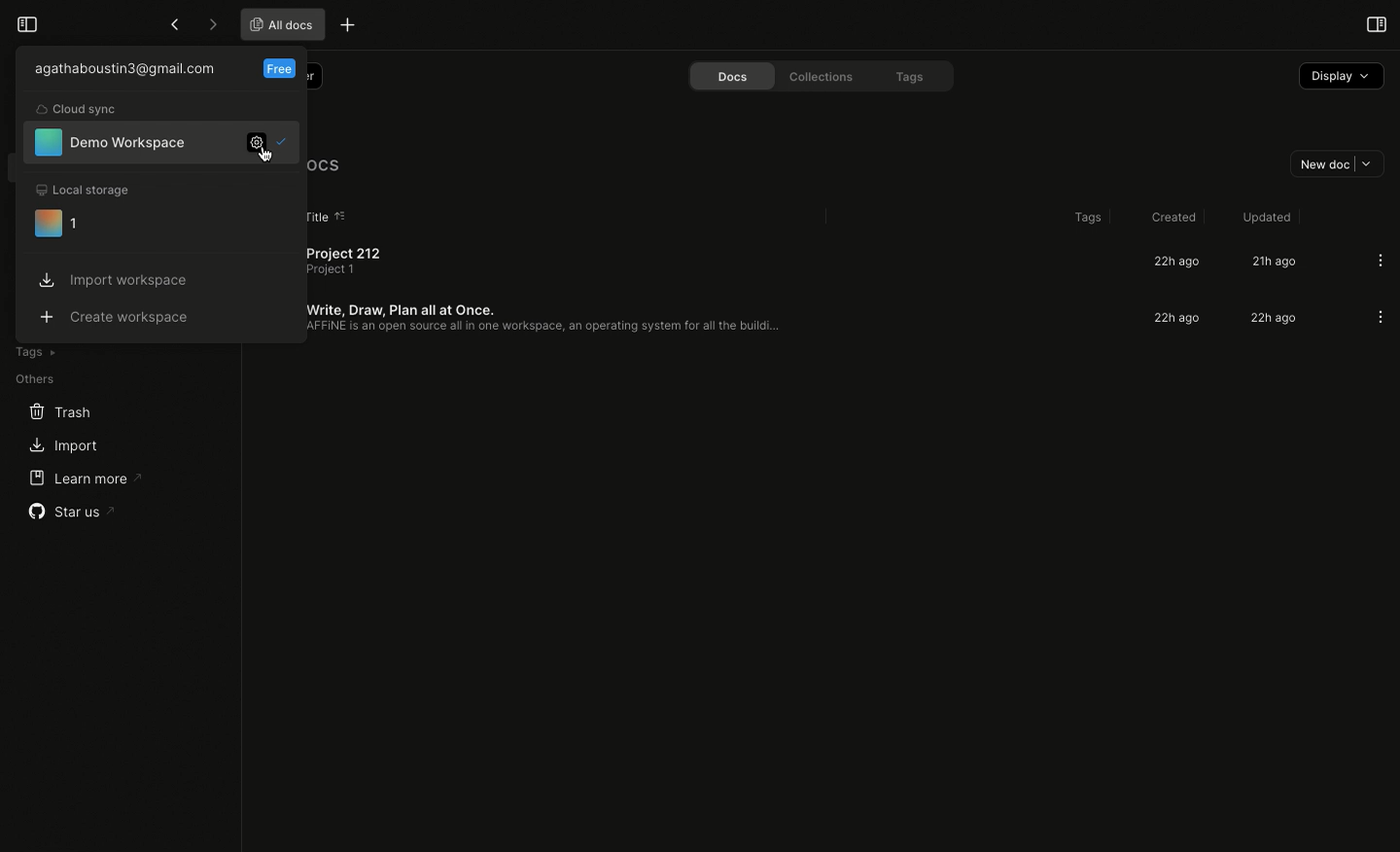 Image resolution: width=1400 pixels, height=852 pixels. What do you see at coordinates (1273, 263) in the screenshot?
I see `21h ago` at bounding box center [1273, 263].